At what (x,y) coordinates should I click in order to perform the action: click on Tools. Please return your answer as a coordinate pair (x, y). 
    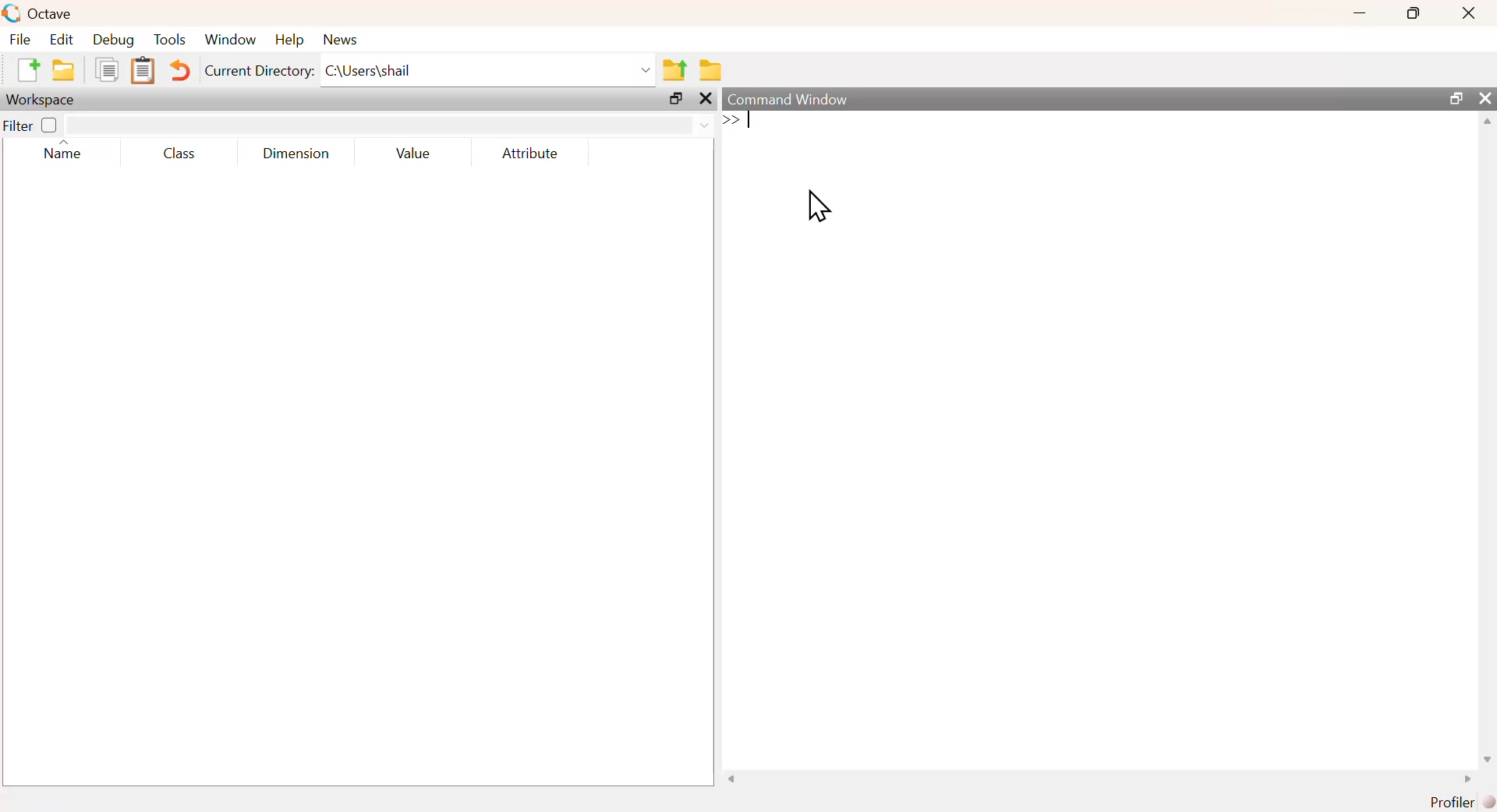
    Looking at the image, I should click on (170, 39).